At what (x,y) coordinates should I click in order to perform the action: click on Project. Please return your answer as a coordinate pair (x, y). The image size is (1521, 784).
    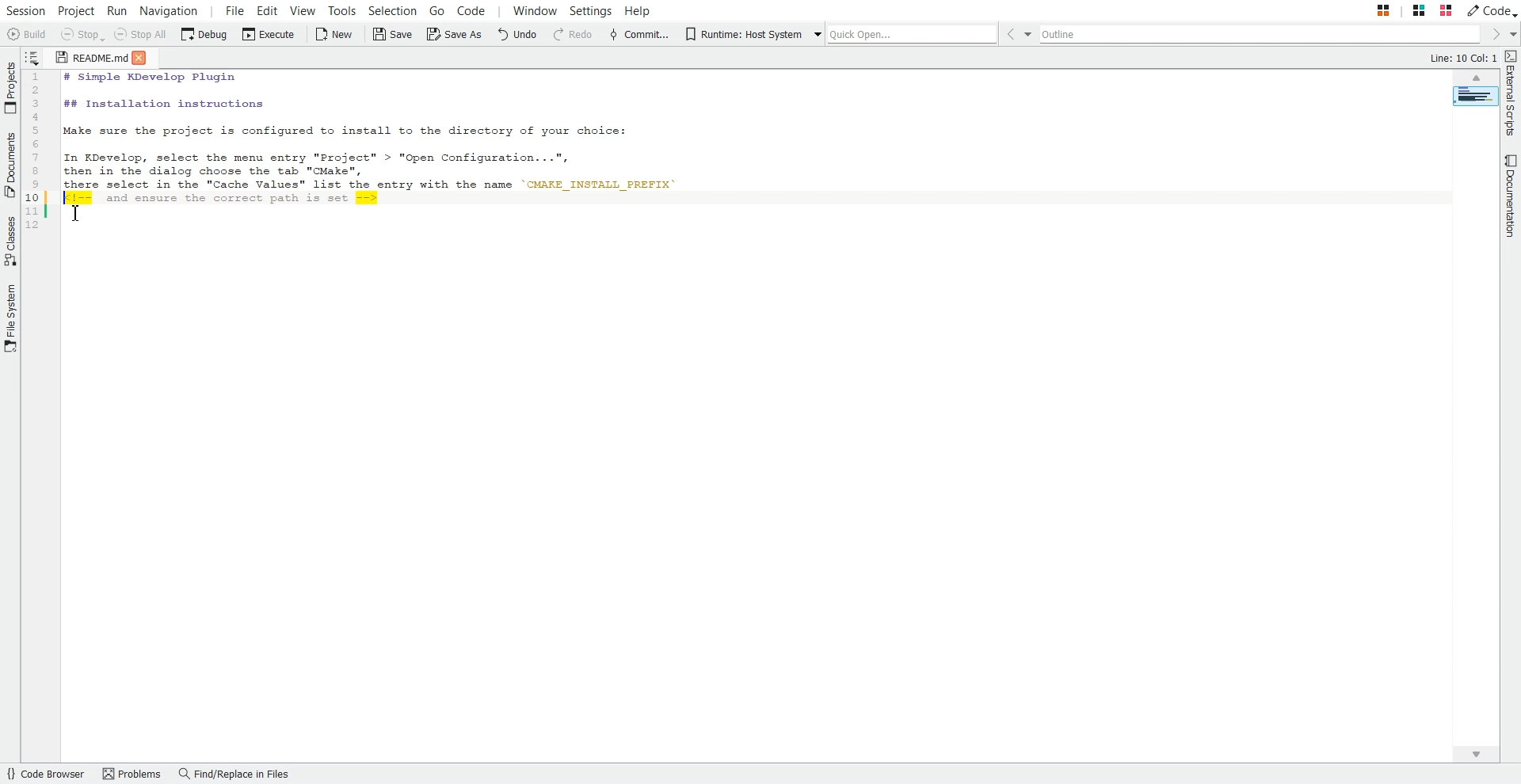
    Looking at the image, I should click on (76, 10).